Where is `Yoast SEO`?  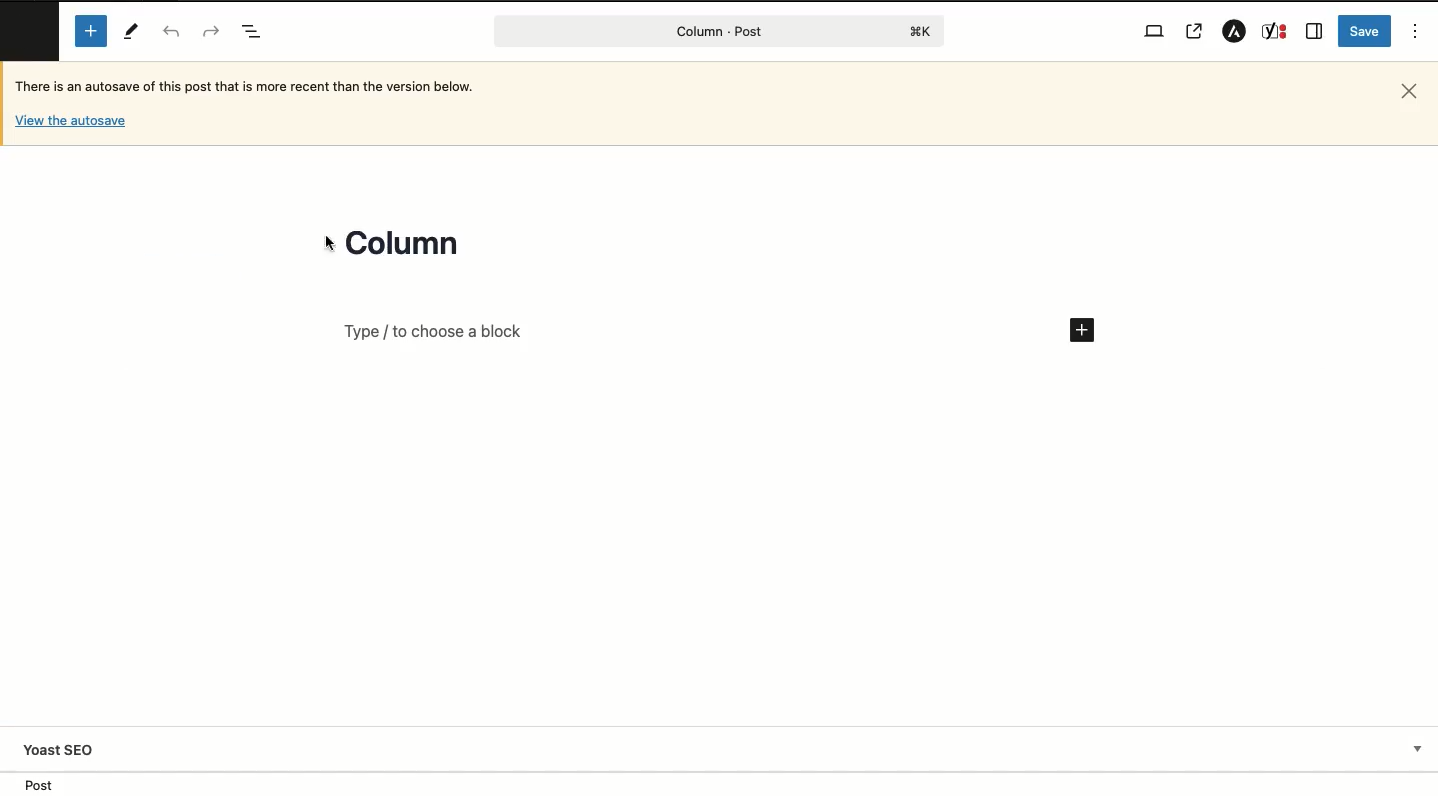 Yoast SEO is located at coordinates (725, 749).